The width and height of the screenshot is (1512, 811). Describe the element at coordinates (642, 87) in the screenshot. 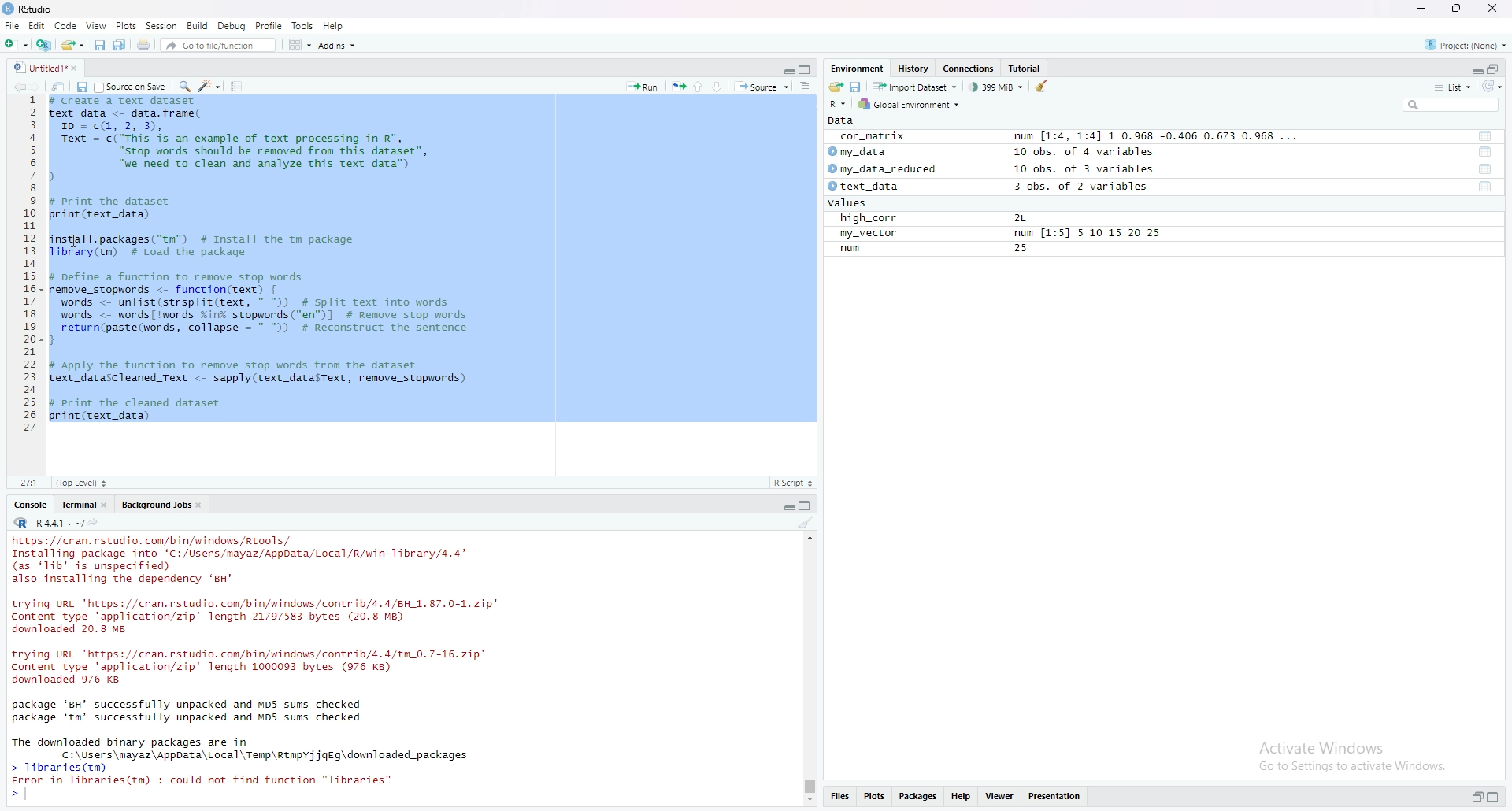

I see `run` at that location.